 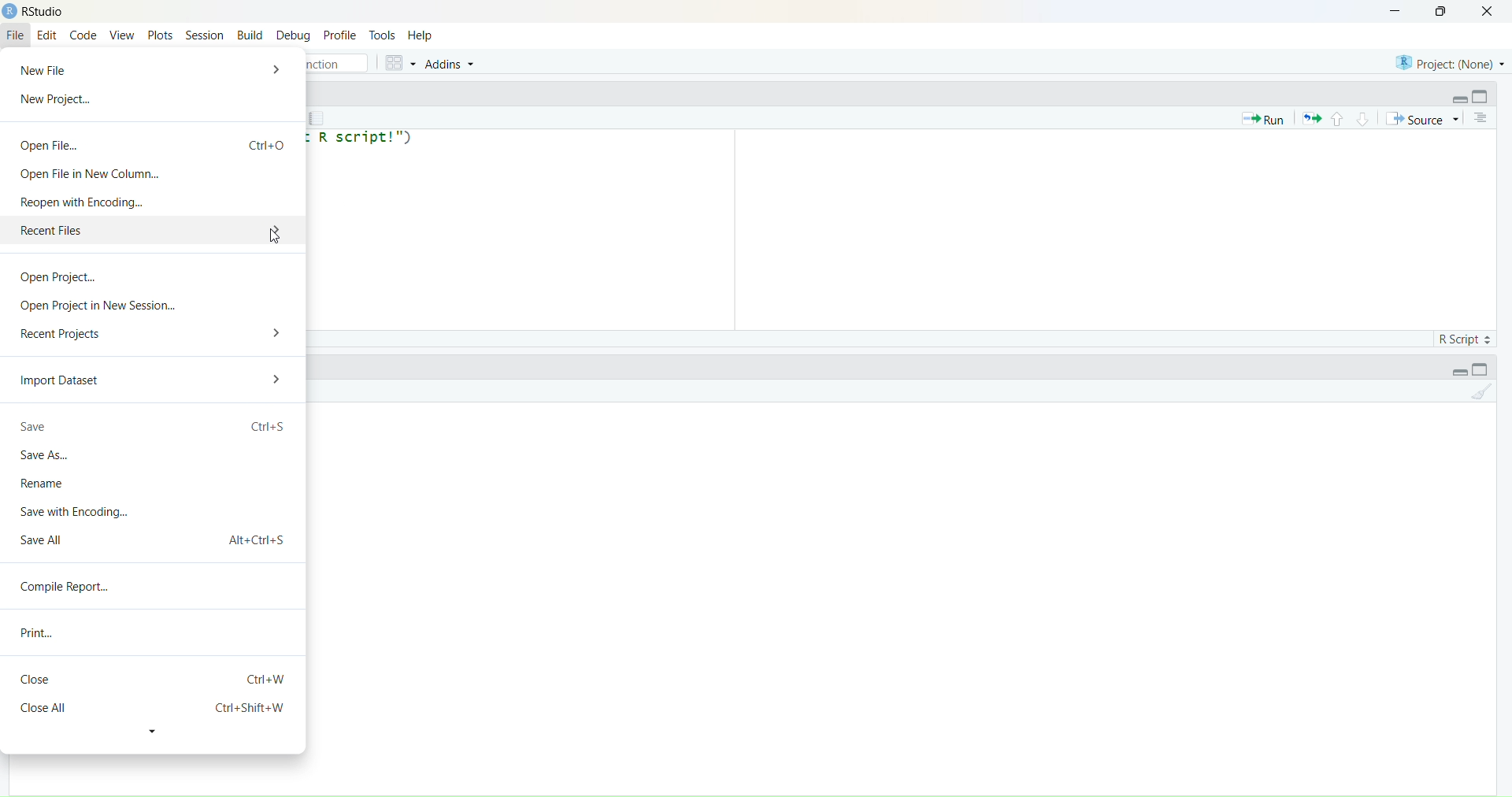 I want to click on File, so click(x=17, y=34).